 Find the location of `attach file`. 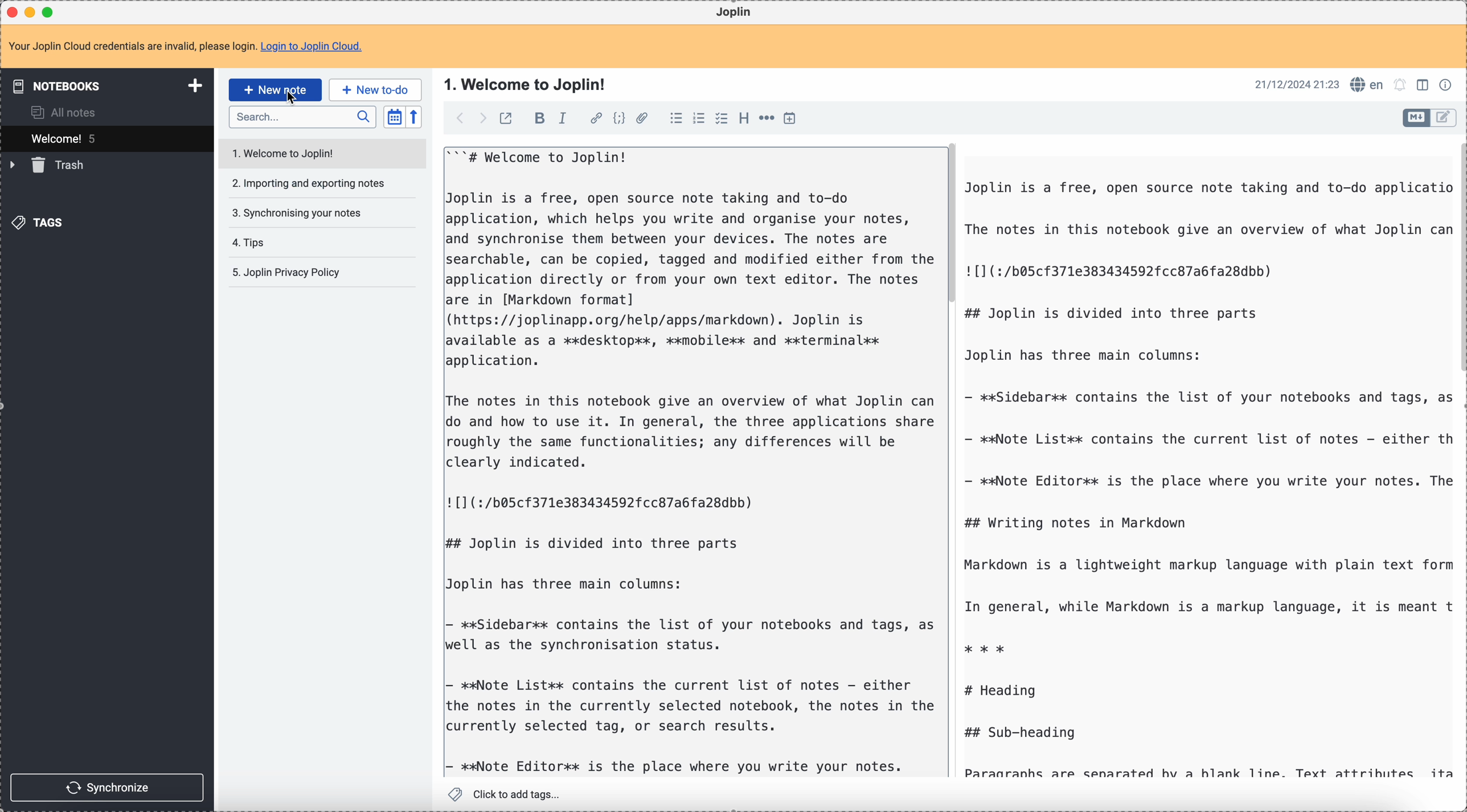

attach file is located at coordinates (640, 119).